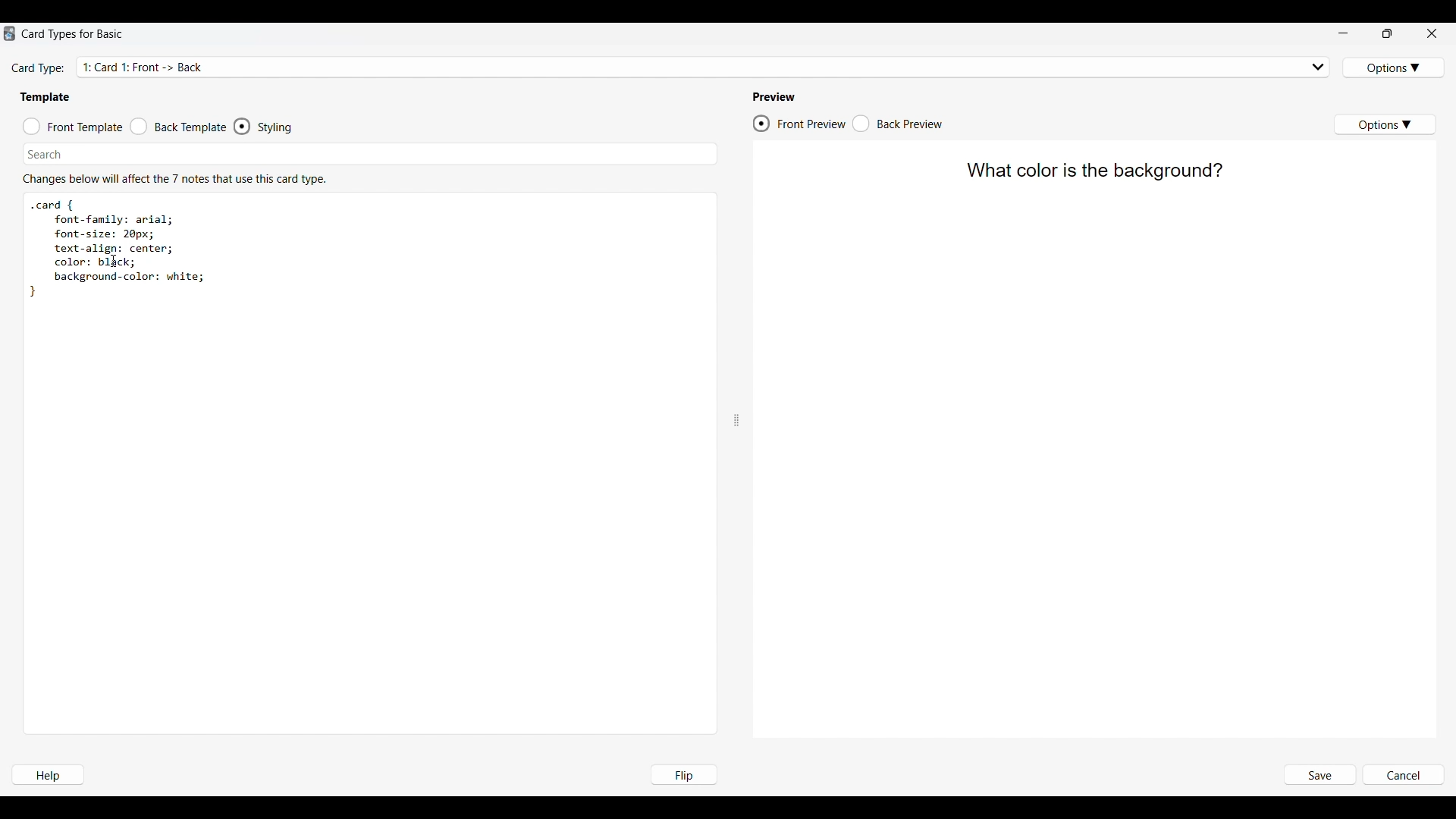 Image resolution: width=1456 pixels, height=819 pixels. I want to click on Search, so click(45, 154).